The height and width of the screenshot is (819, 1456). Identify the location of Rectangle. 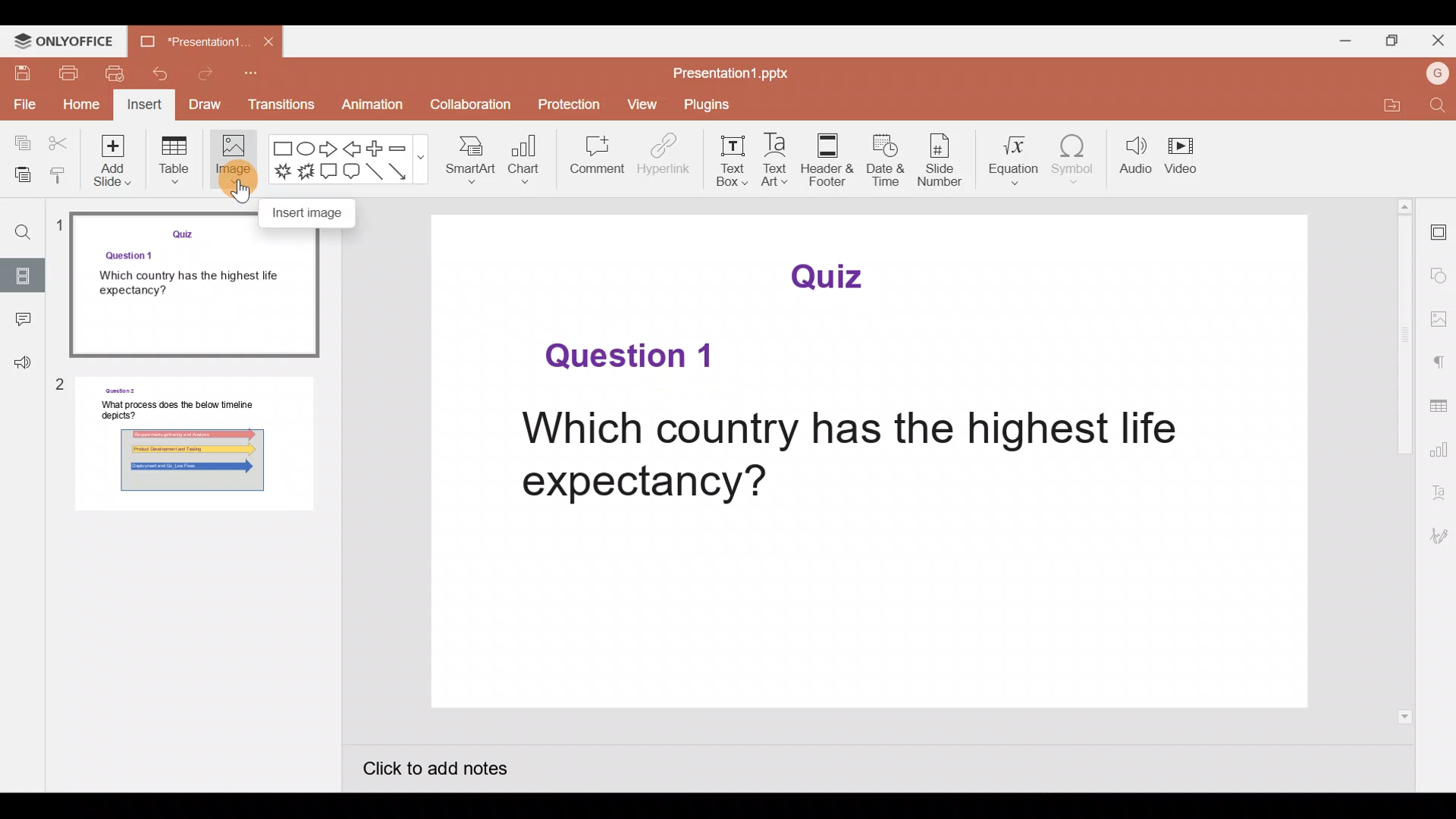
(279, 147).